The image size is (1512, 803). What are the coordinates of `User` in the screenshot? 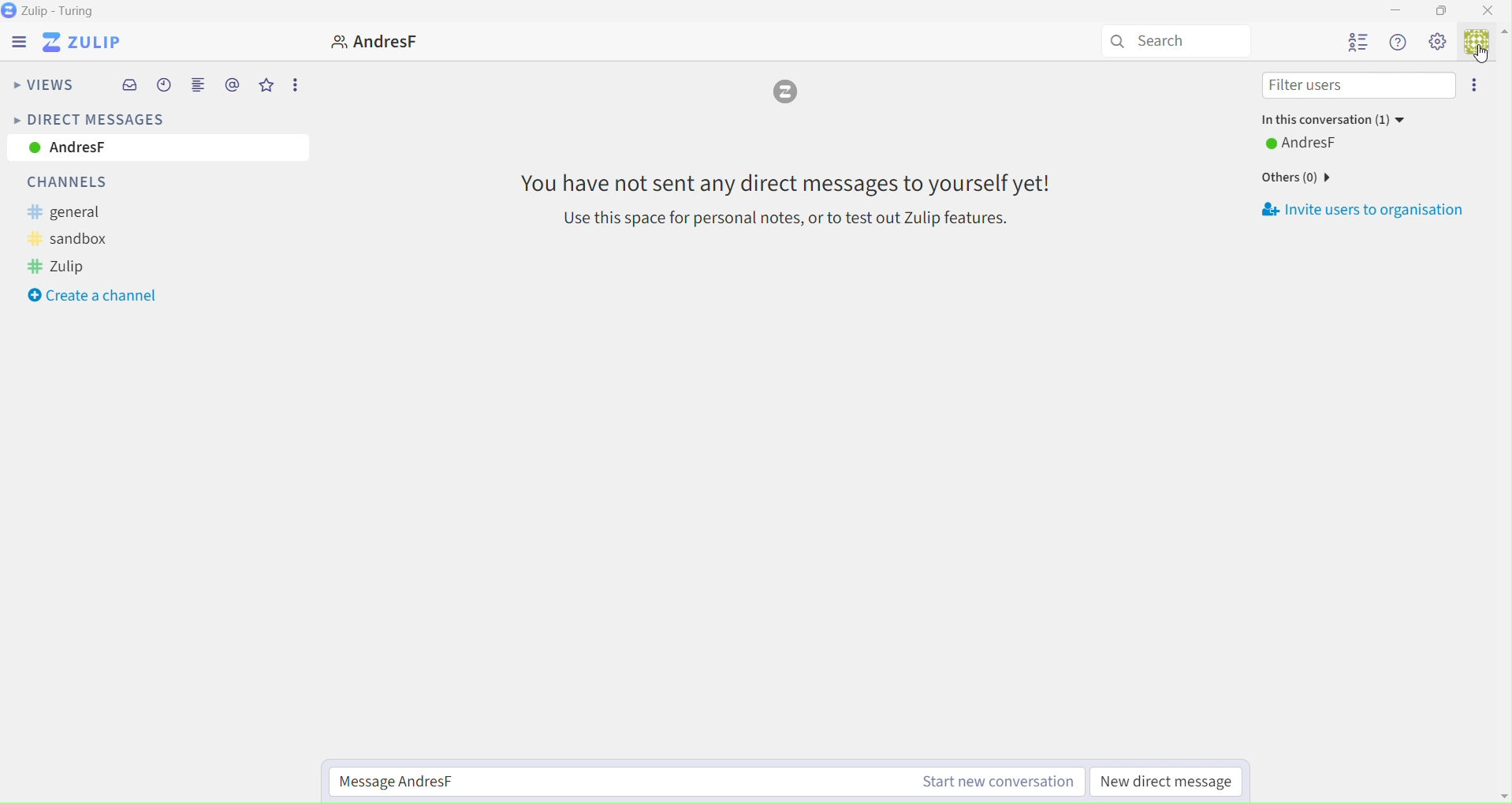 It's located at (1484, 47).